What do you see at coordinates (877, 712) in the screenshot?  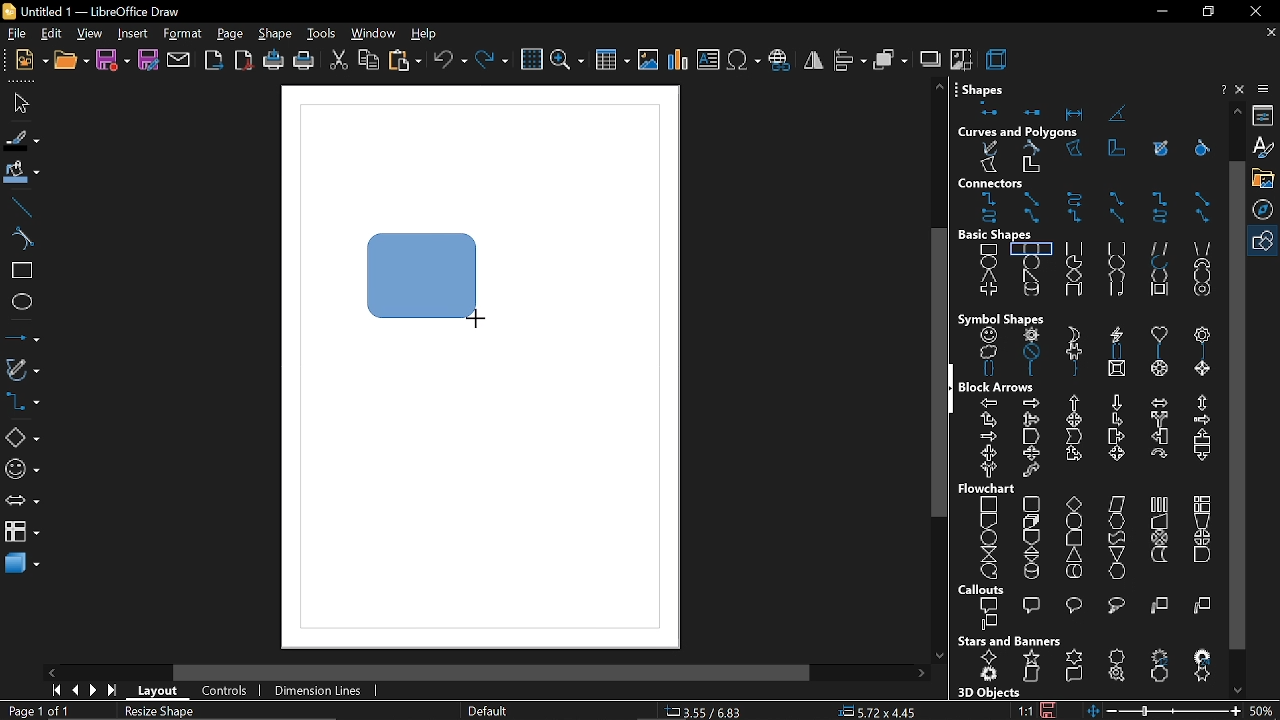 I see `position` at bounding box center [877, 712].